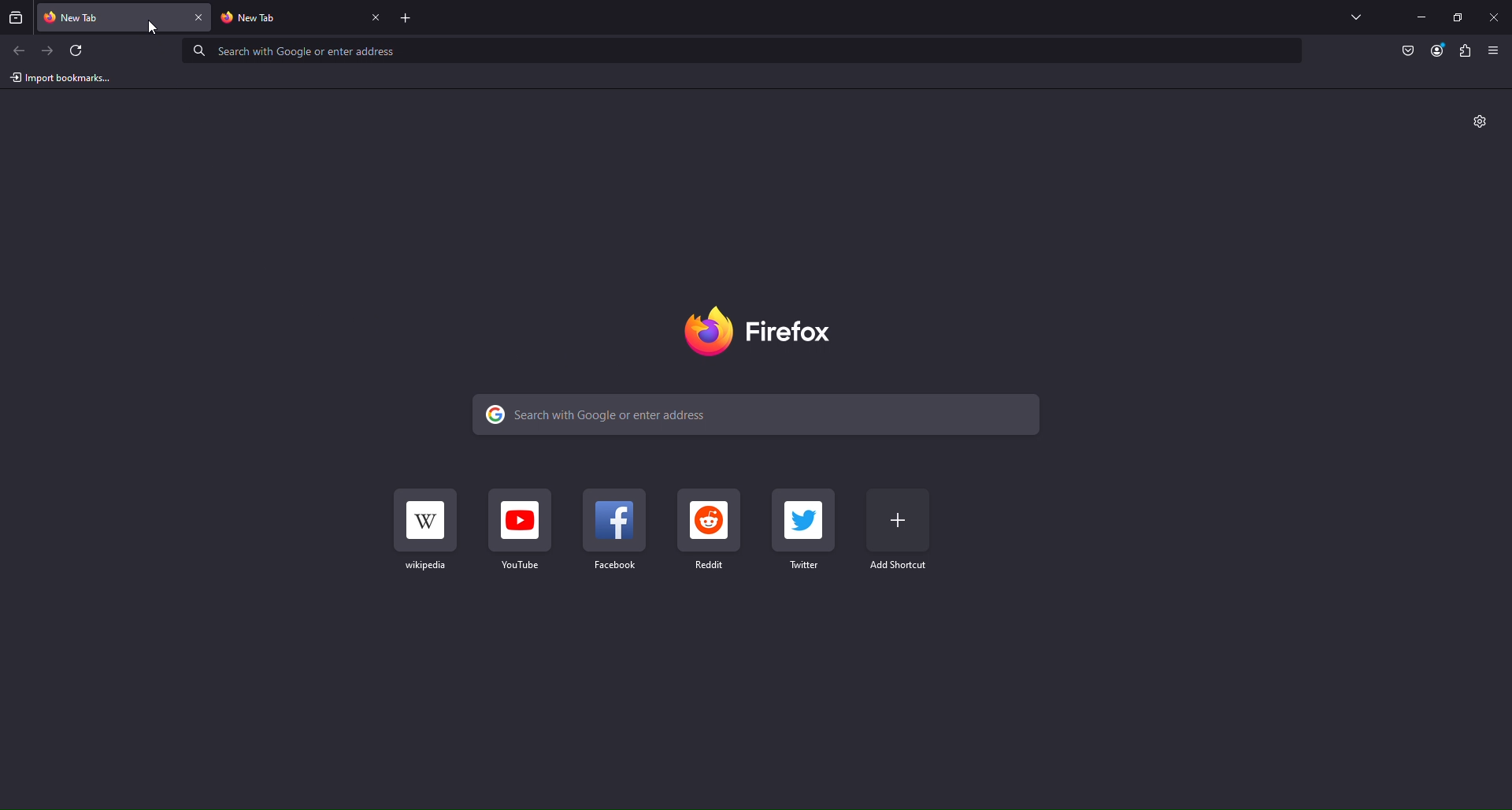 Image resolution: width=1512 pixels, height=810 pixels. I want to click on Maximize, so click(1458, 17).